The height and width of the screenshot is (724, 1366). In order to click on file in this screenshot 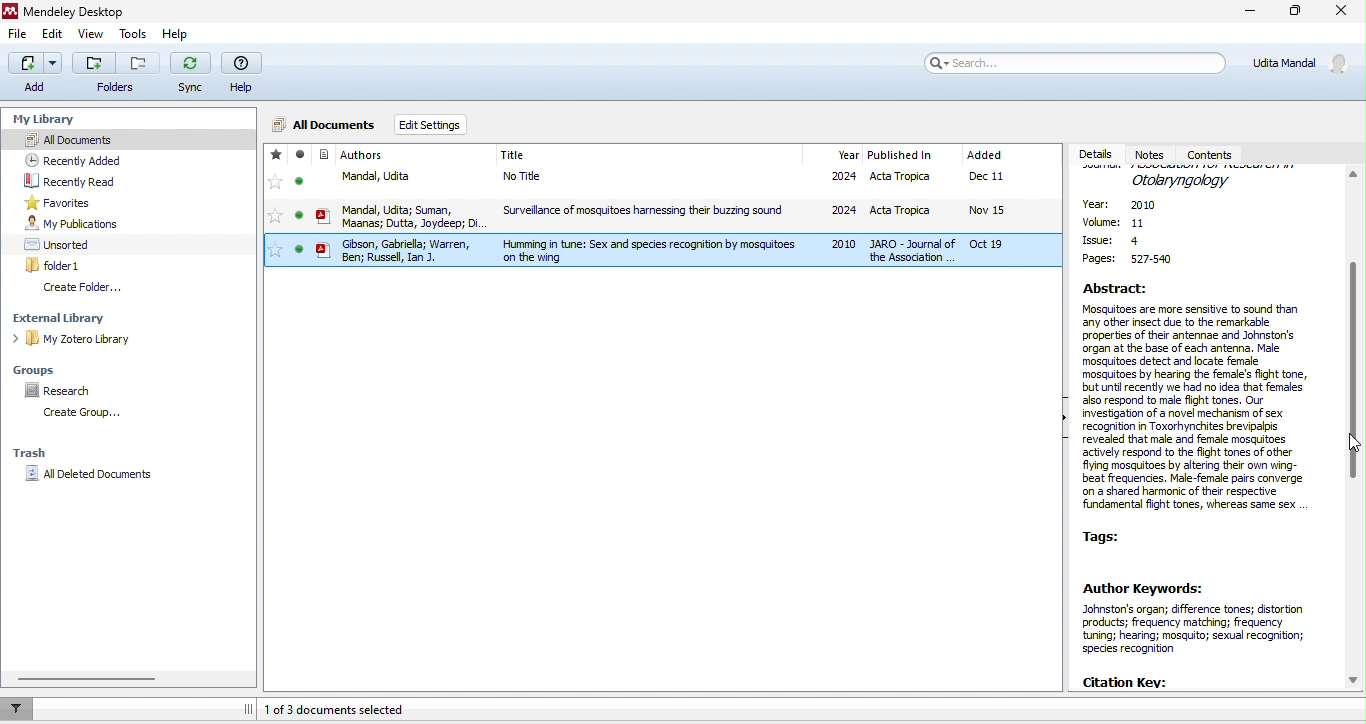, I will do `click(18, 37)`.